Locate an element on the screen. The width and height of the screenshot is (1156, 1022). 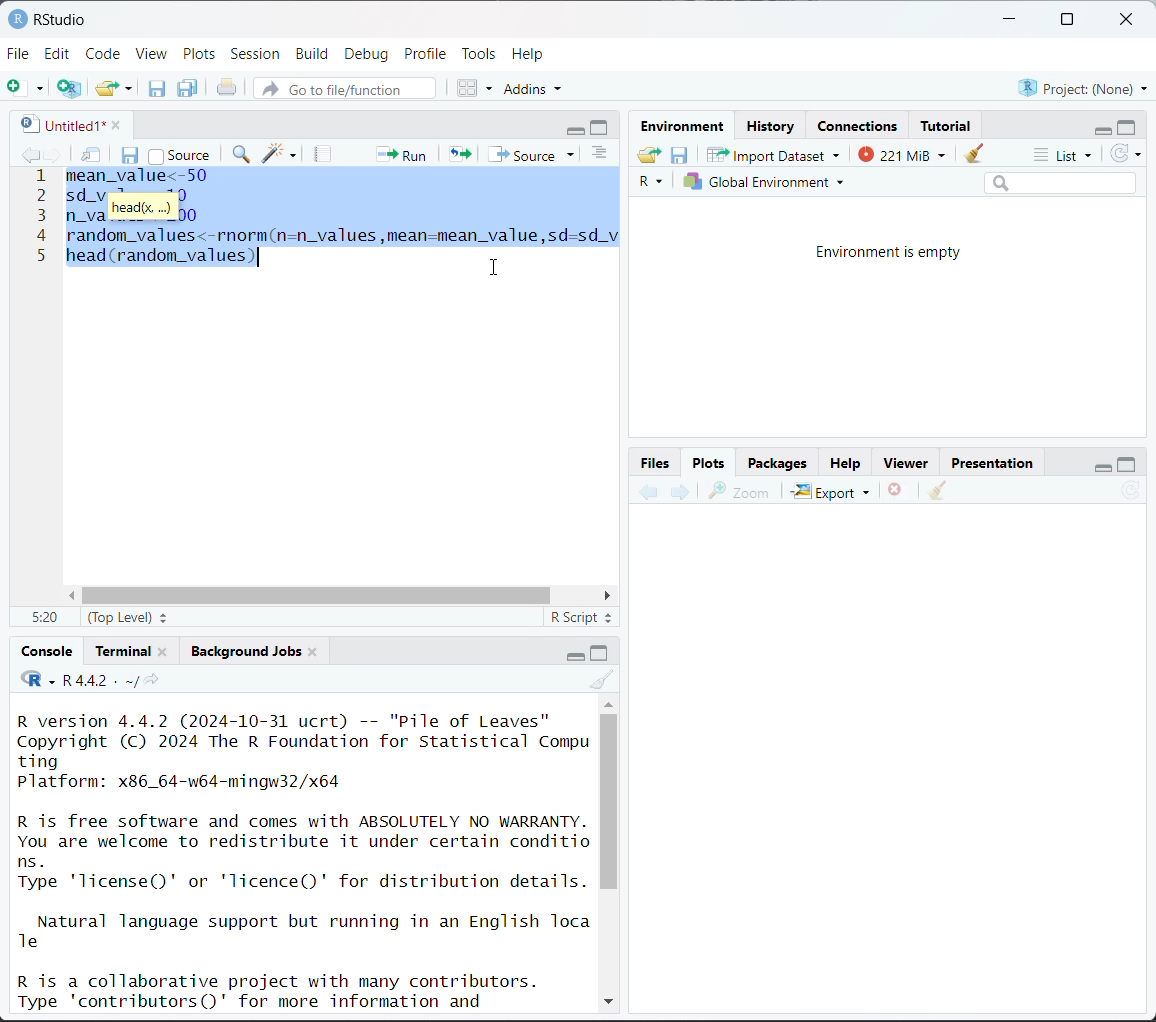
Edit is located at coordinates (60, 53).